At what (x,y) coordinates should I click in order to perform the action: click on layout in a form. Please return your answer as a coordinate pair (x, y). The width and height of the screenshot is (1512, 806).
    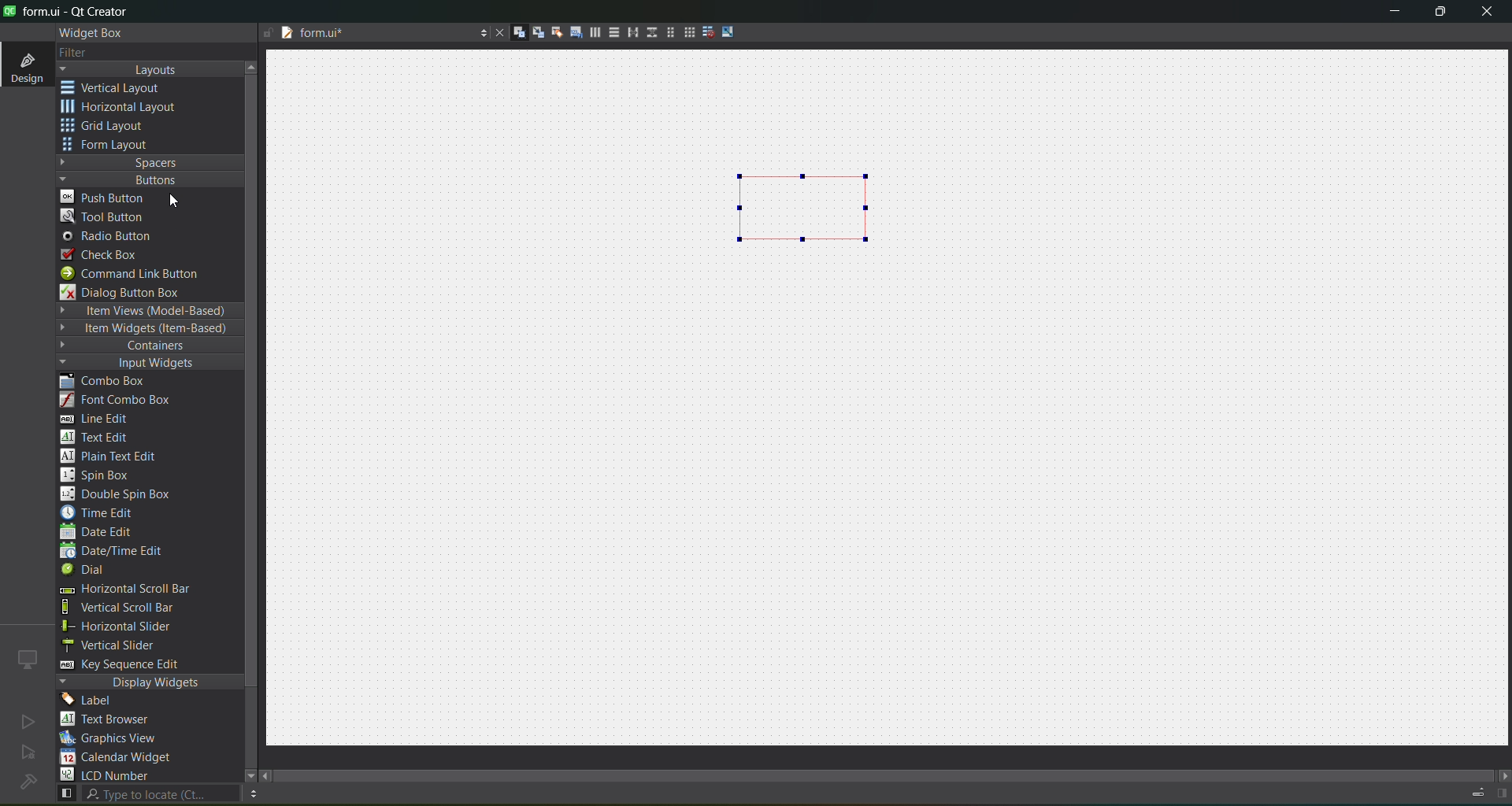
    Looking at the image, I should click on (665, 32).